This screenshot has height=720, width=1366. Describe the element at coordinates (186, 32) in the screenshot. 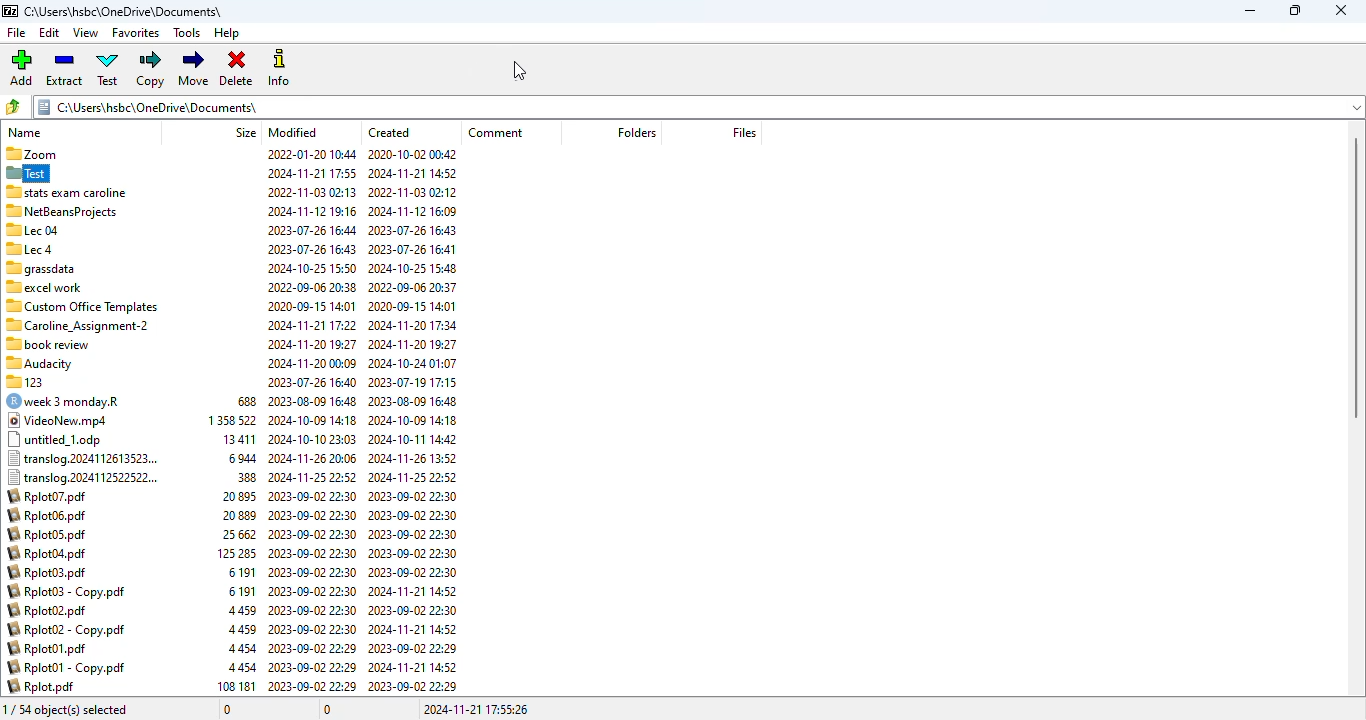

I see `tools` at that location.